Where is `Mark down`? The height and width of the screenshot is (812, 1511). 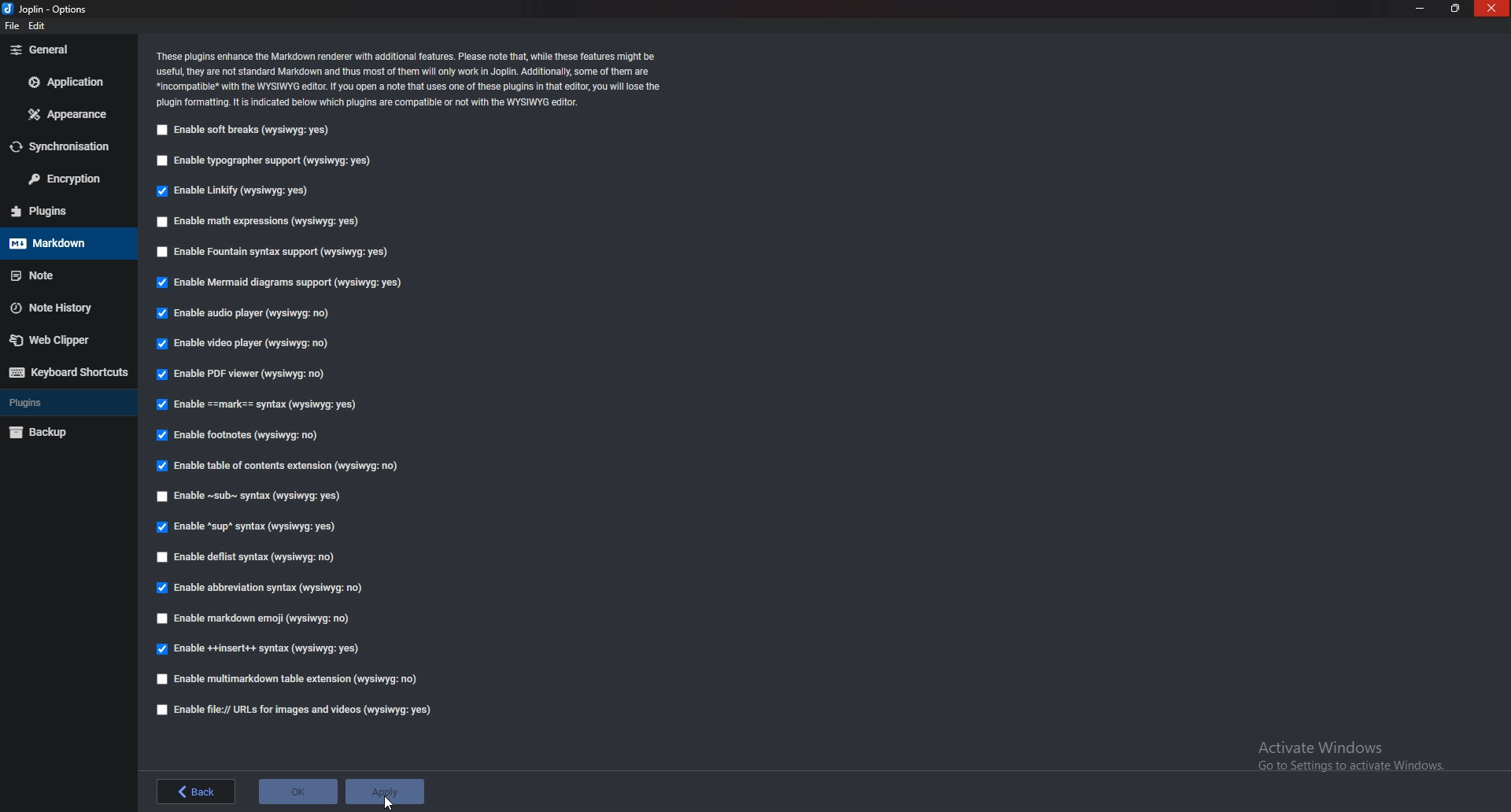
Mark down is located at coordinates (65, 244).